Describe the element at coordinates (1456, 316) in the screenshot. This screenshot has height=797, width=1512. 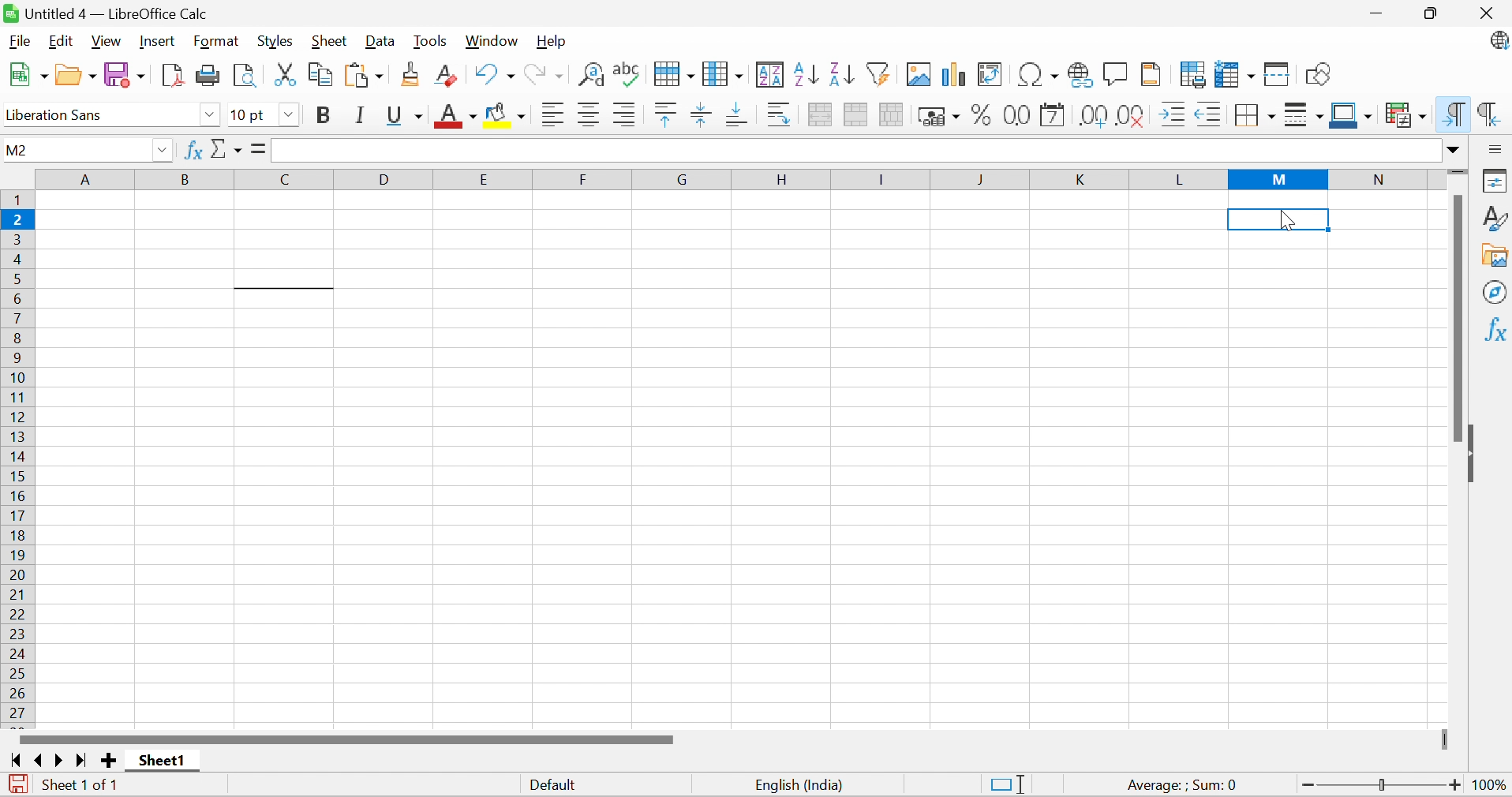
I see `Scroll bar` at that location.